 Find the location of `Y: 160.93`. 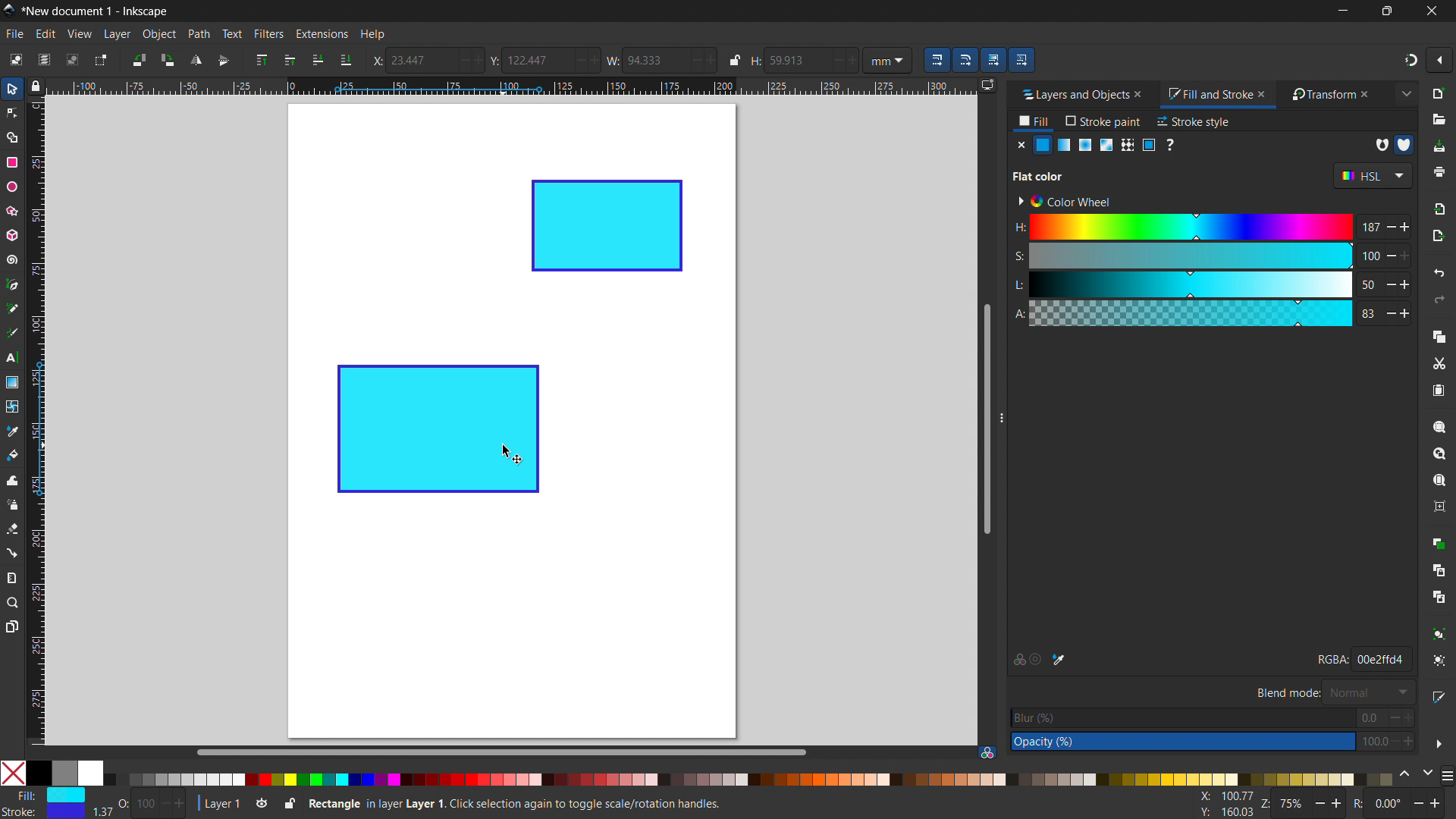

Y: 160.93 is located at coordinates (1221, 813).